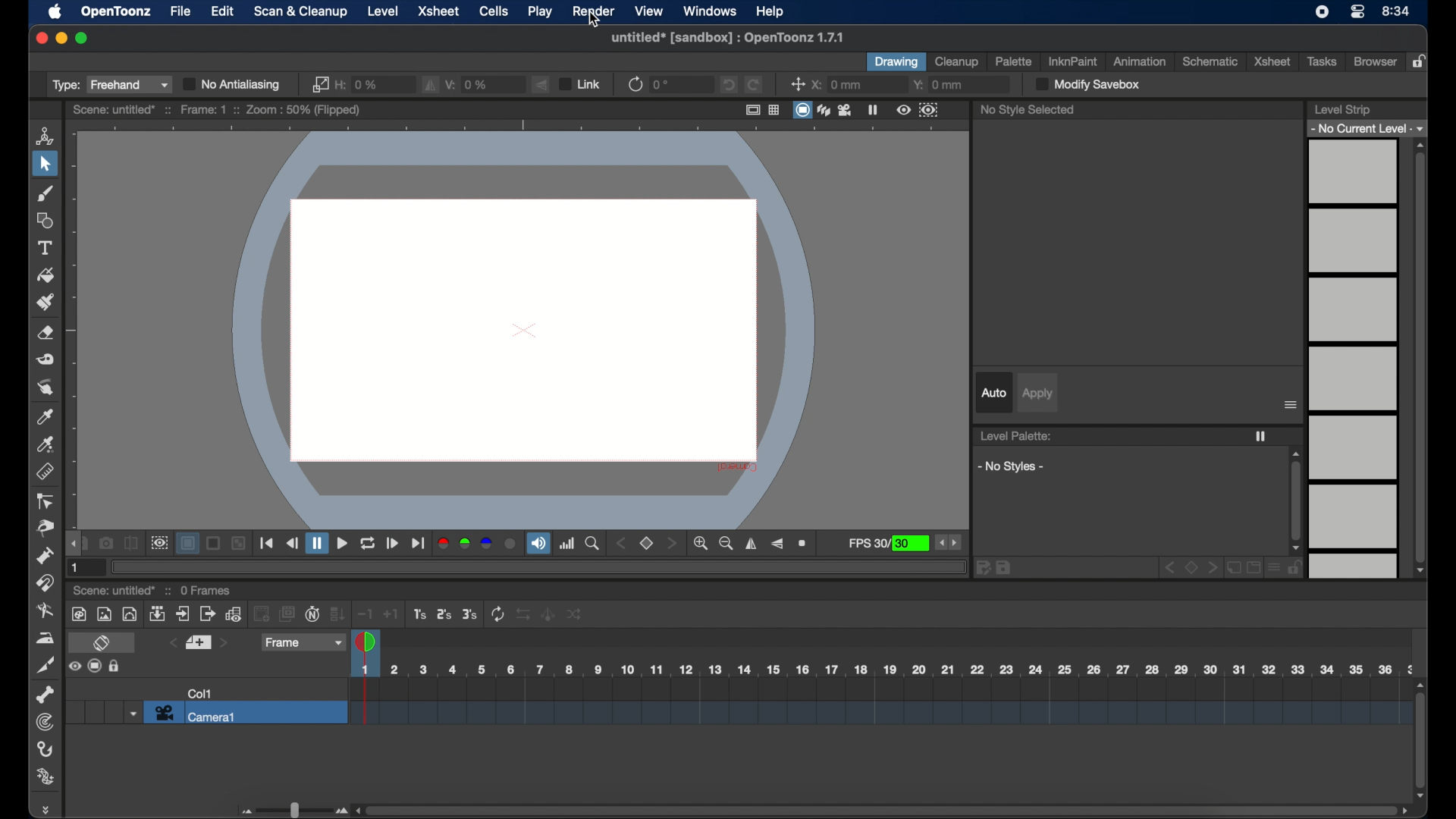 This screenshot has height=819, width=1456. What do you see at coordinates (47, 333) in the screenshot?
I see `eraser tool` at bounding box center [47, 333].